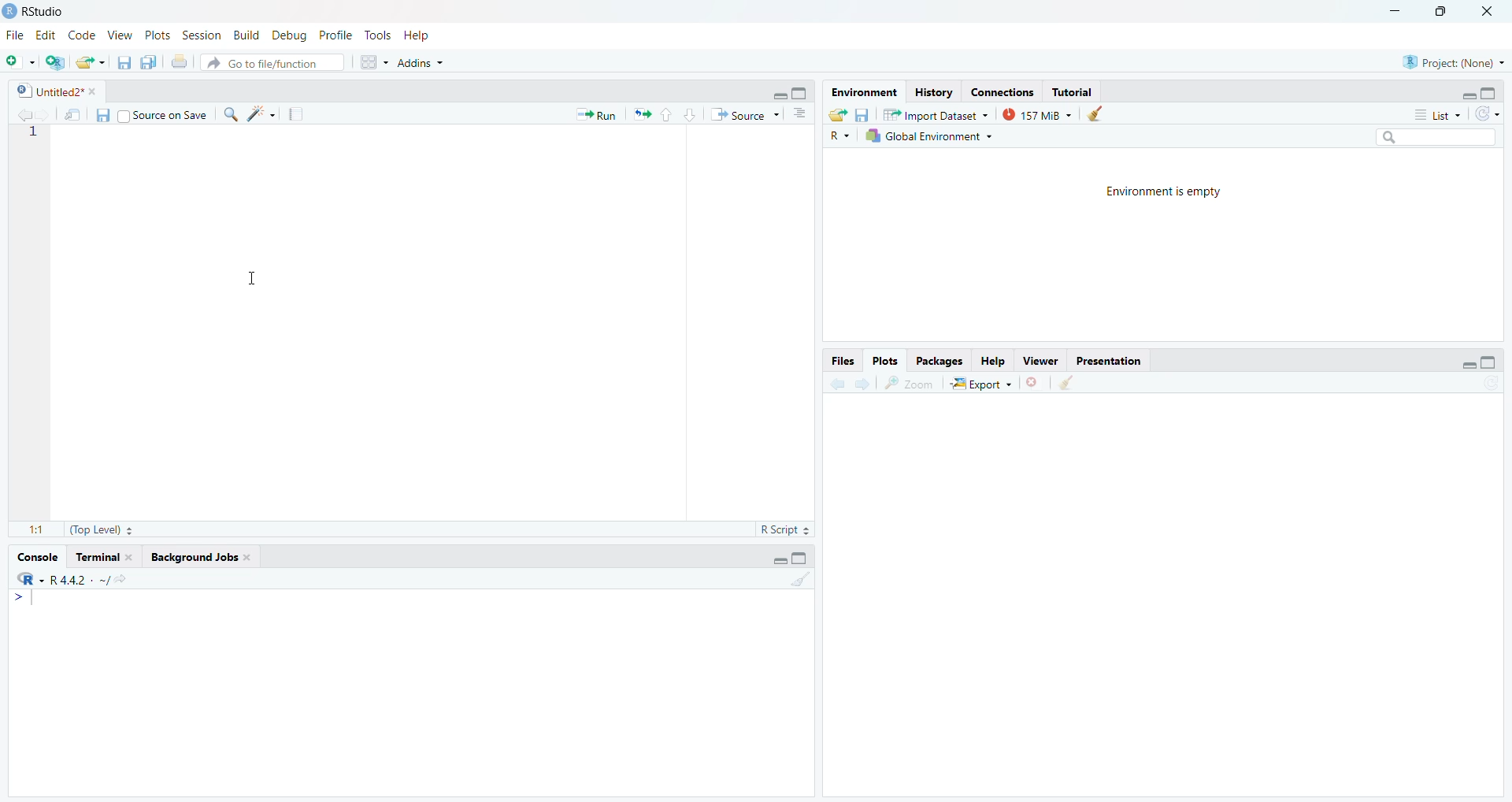 The height and width of the screenshot is (802, 1512). Describe the element at coordinates (249, 557) in the screenshot. I see `close` at that location.